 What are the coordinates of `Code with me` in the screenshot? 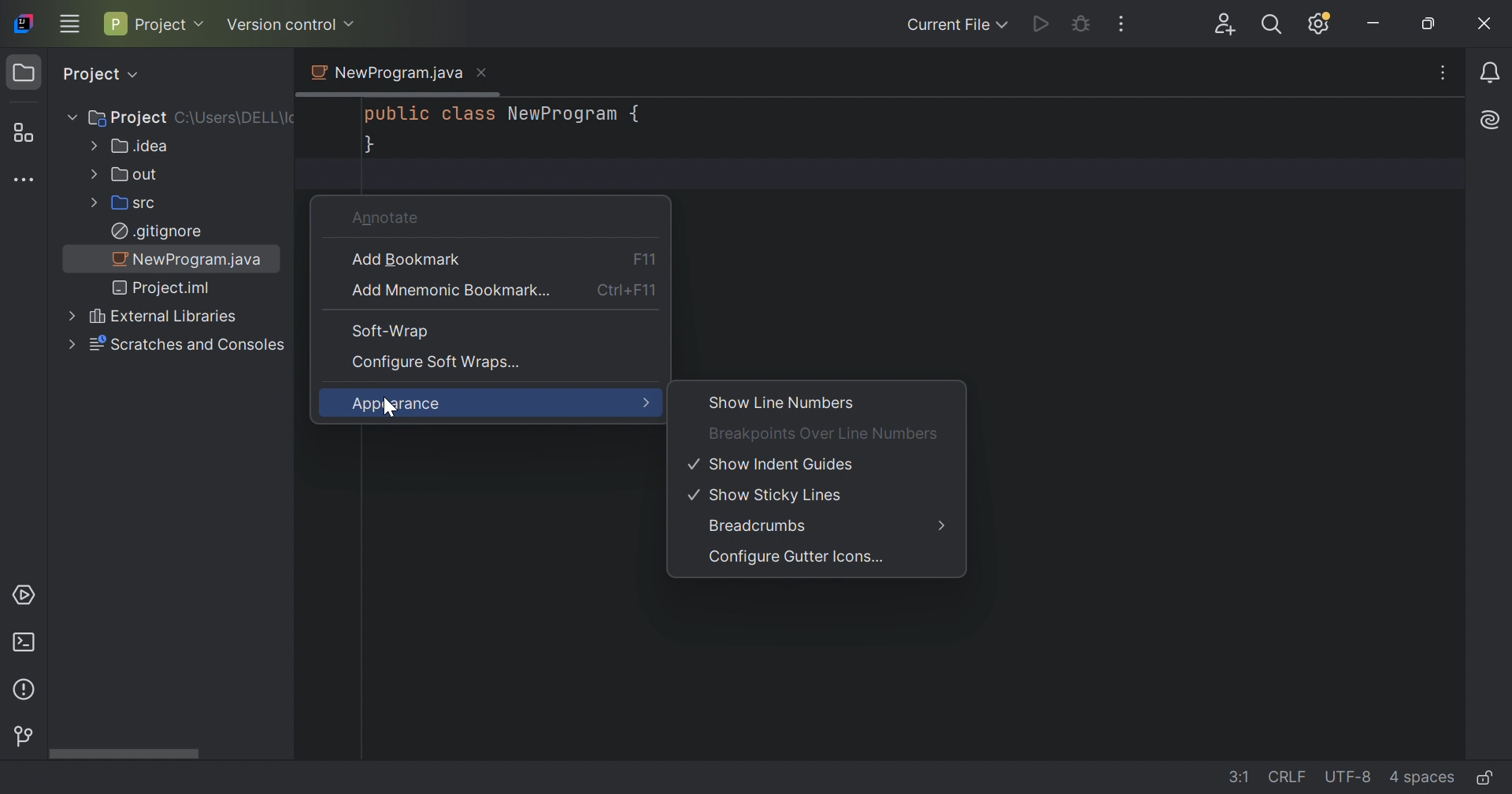 It's located at (1225, 25).